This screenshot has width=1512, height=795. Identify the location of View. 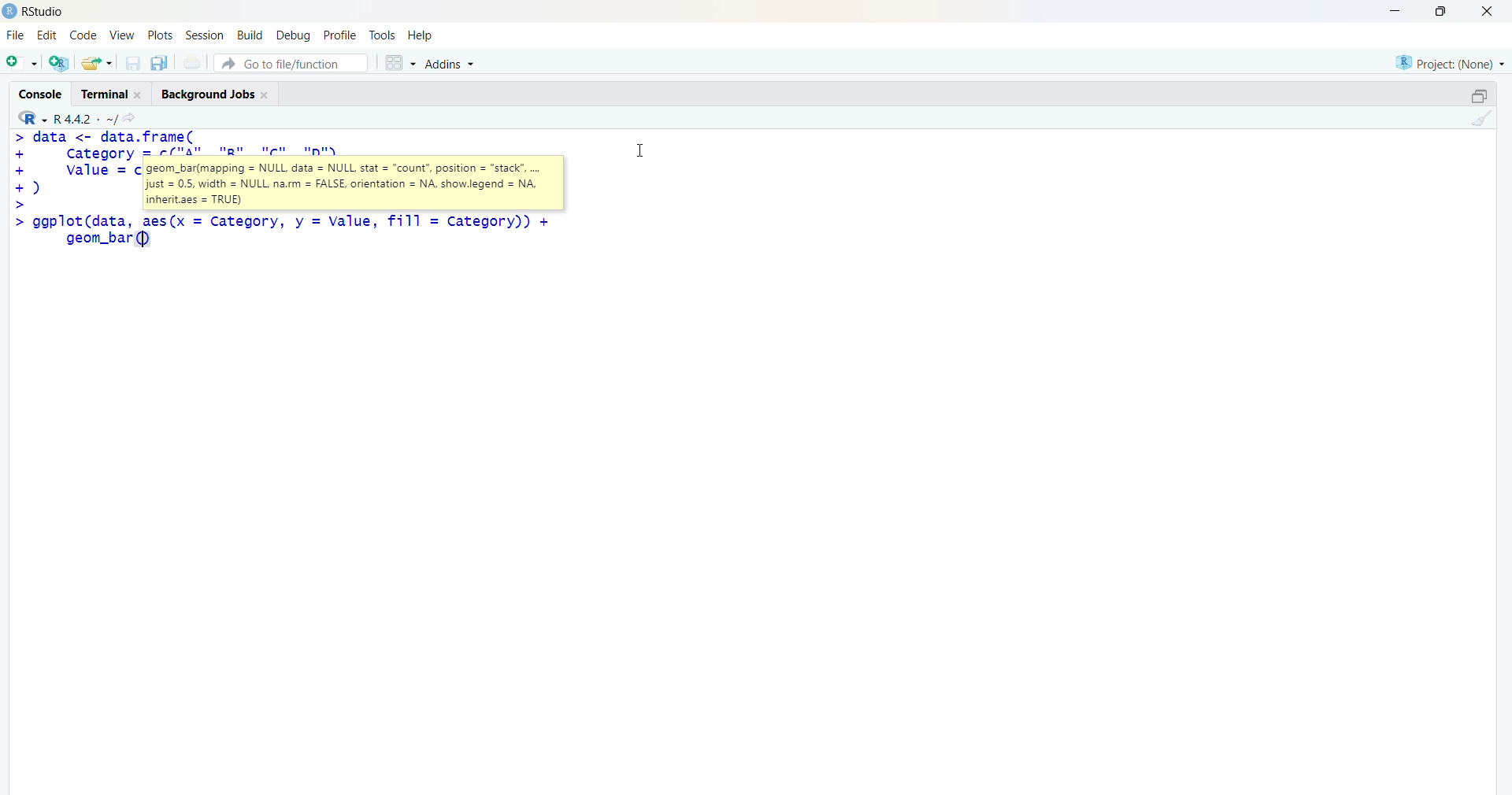
(123, 35).